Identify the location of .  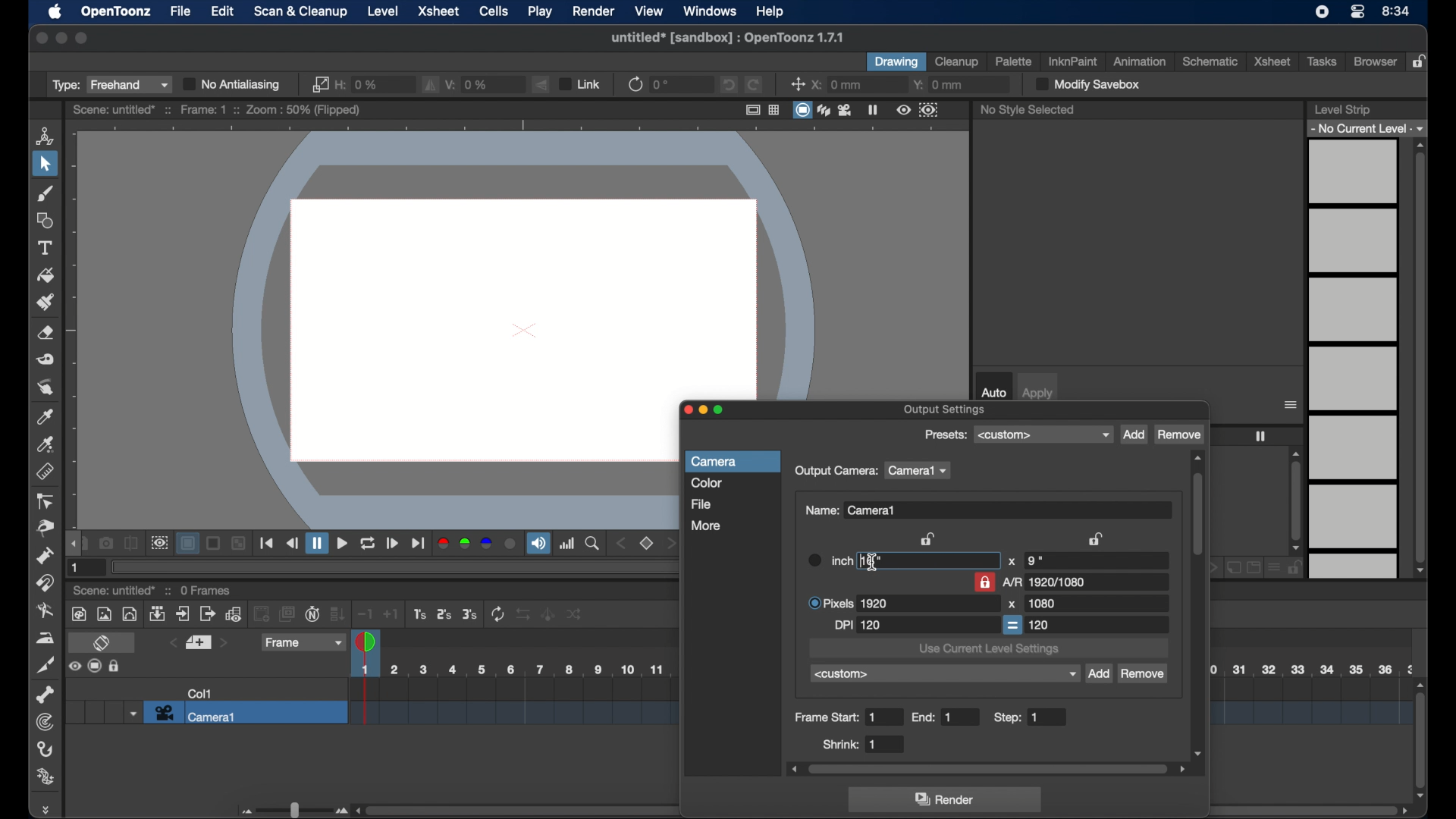
(368, 543).